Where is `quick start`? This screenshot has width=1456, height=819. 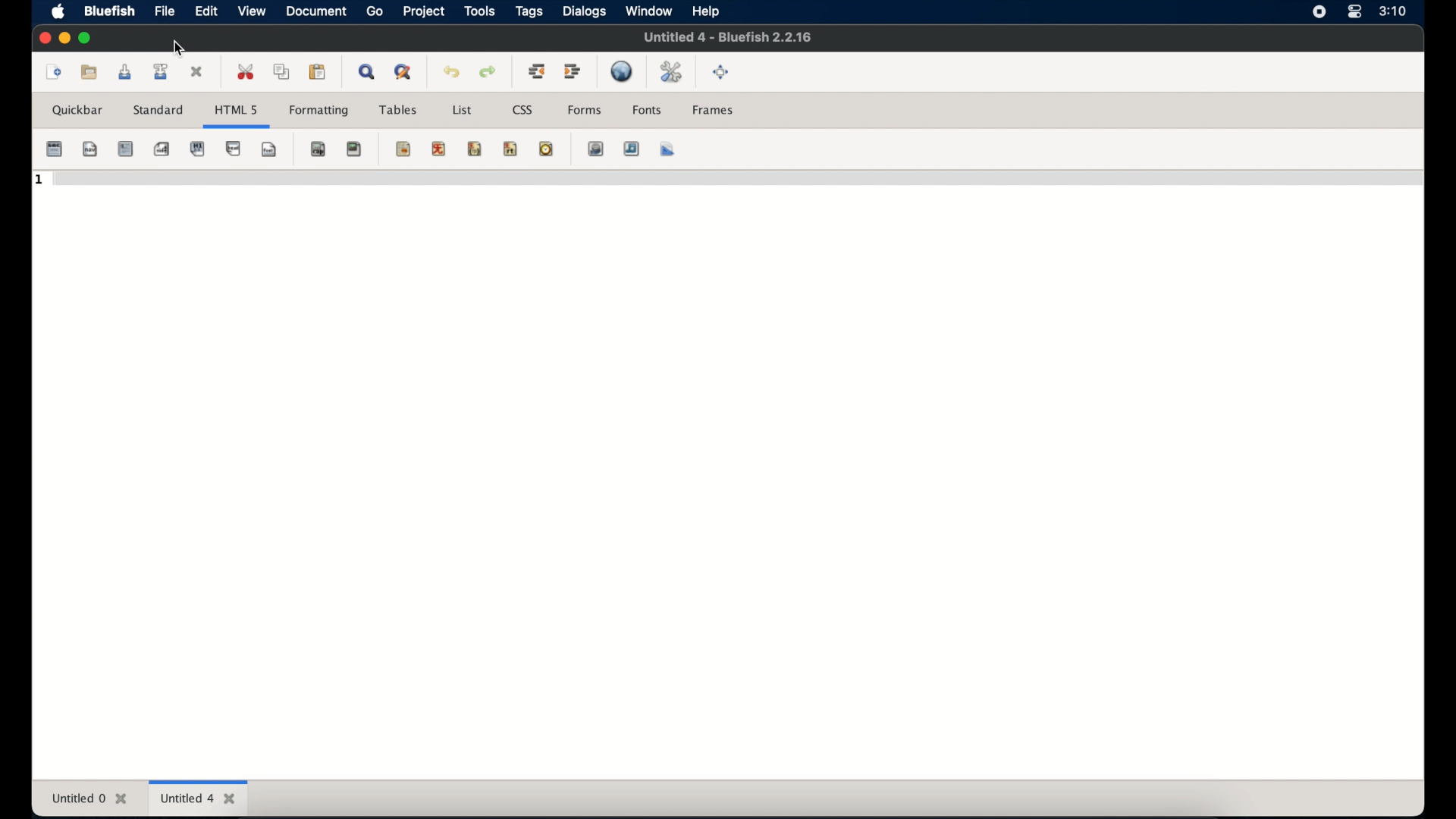 quick start is located at coordinates (52, 149).